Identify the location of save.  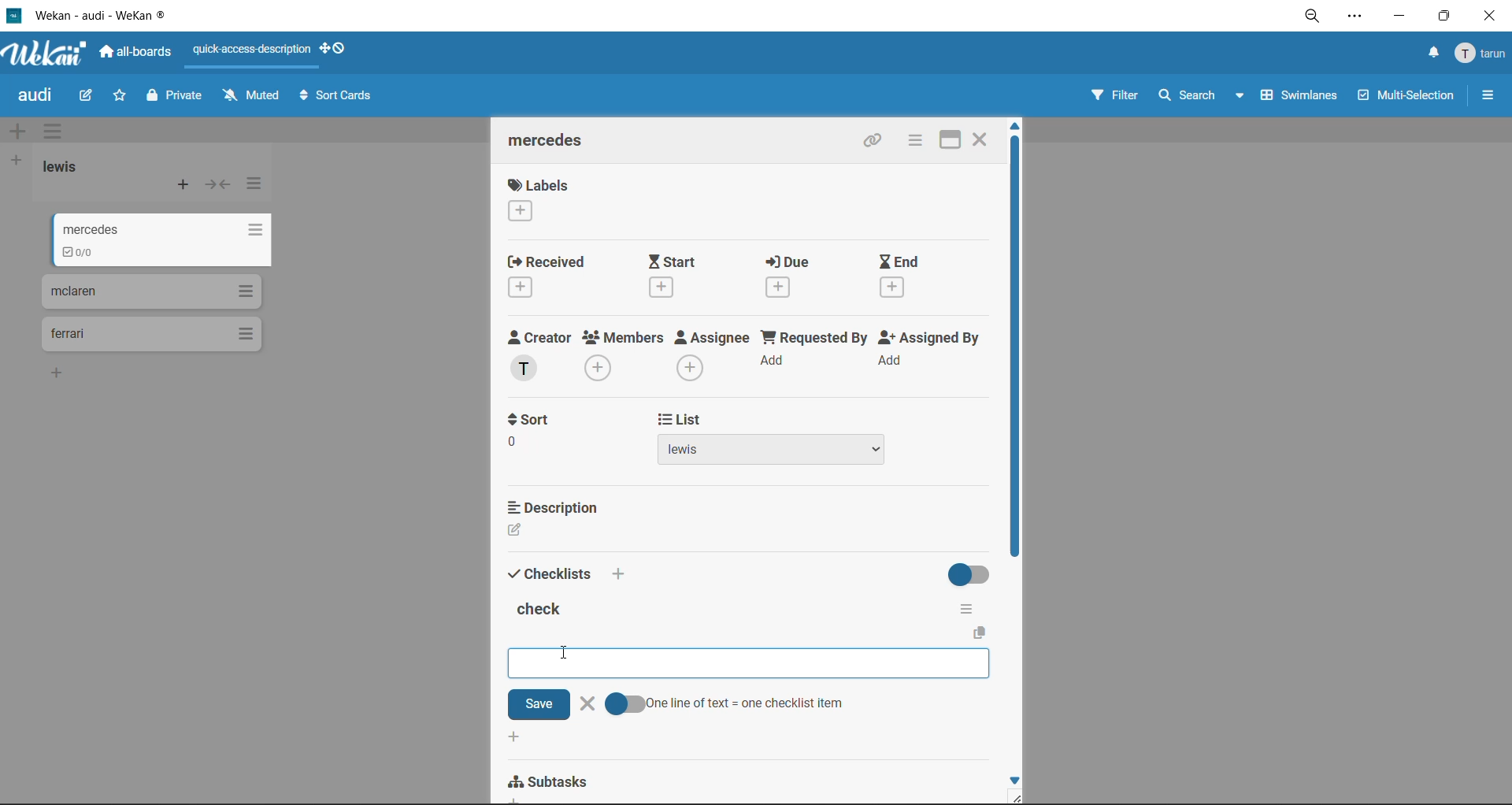
(537, 704).